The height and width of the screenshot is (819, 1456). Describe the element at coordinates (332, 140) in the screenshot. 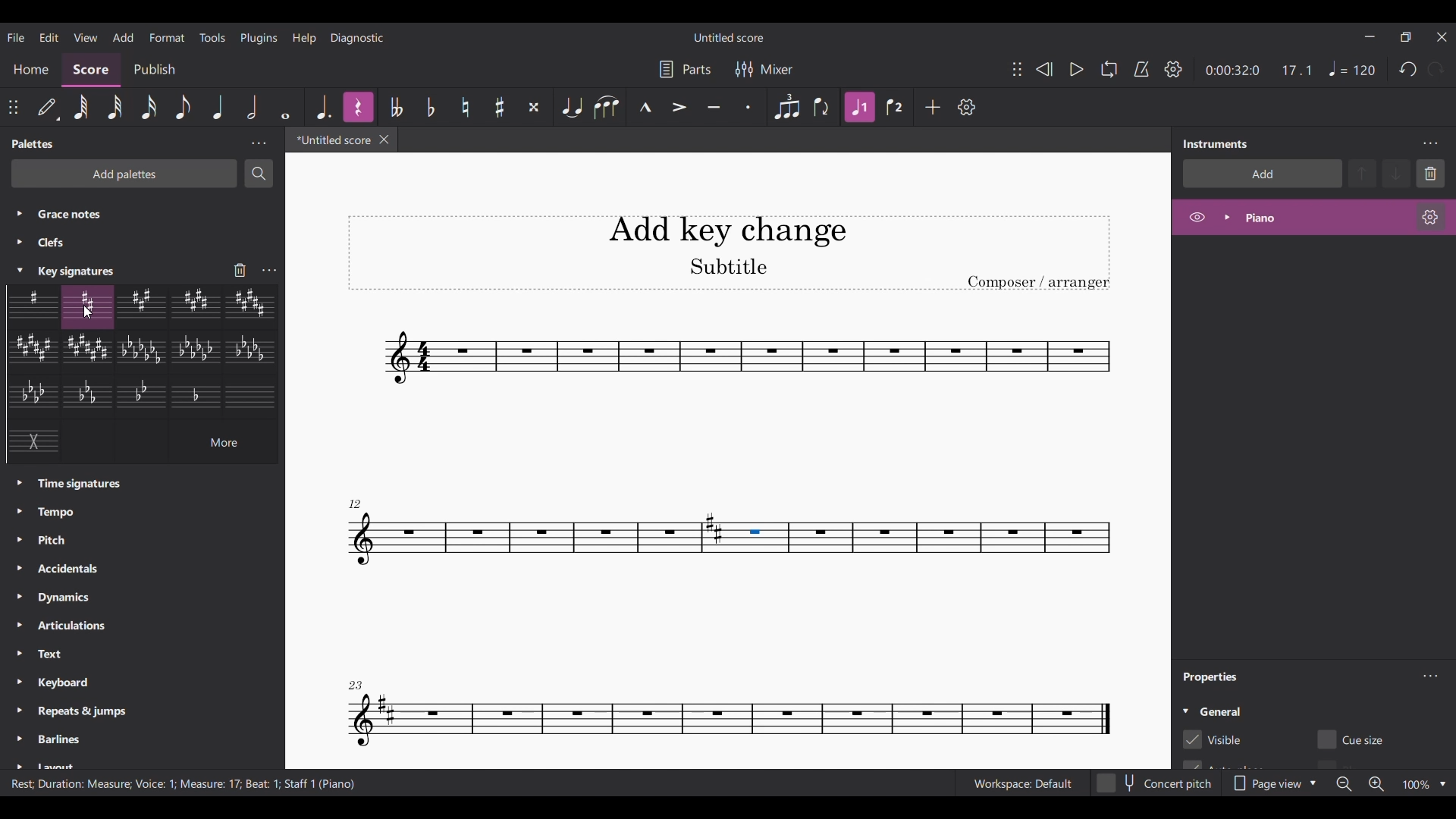

I see `Current tab` at that location.